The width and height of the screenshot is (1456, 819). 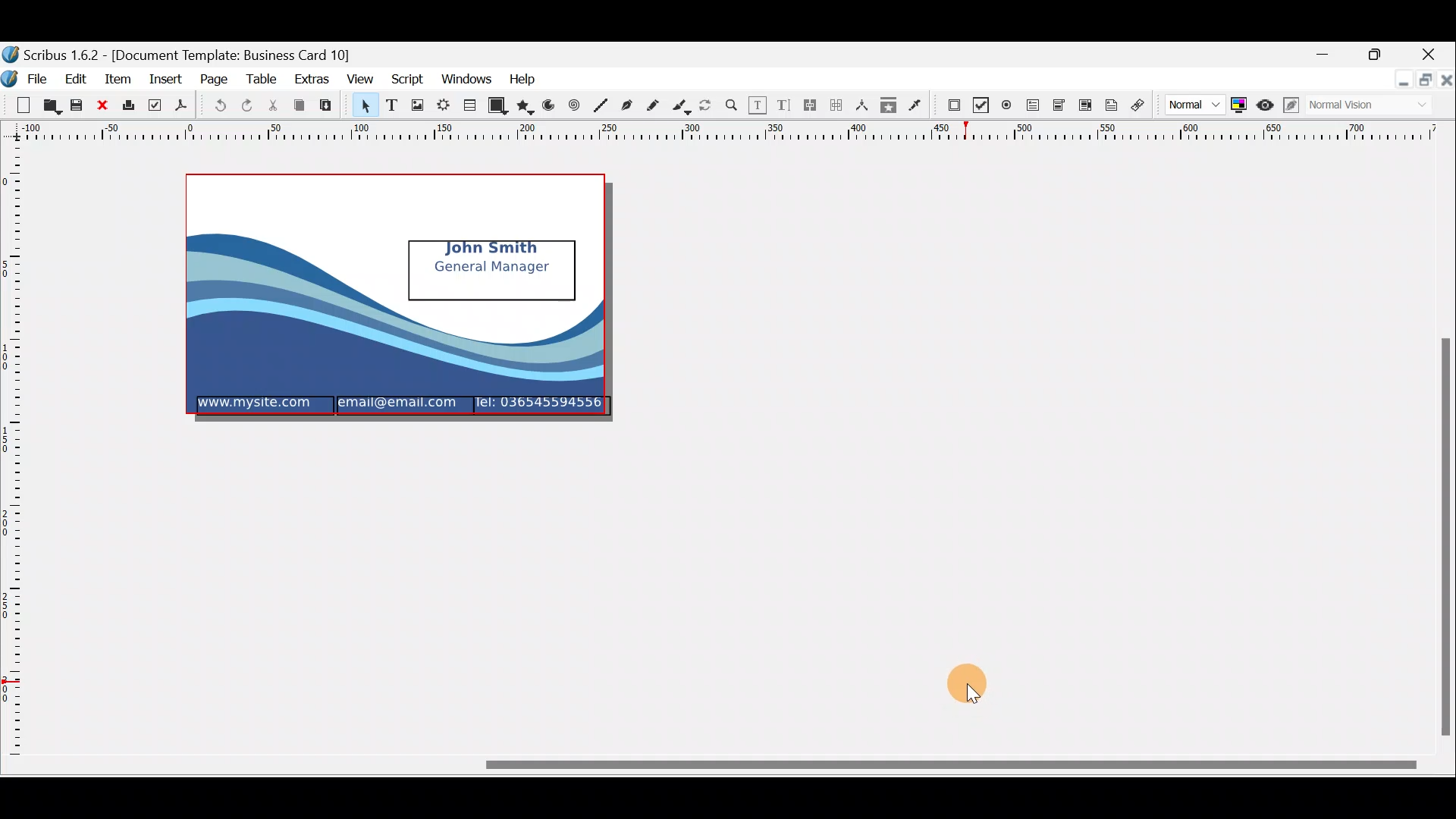 I want to click on Image frame, so click(x=417, y=108).